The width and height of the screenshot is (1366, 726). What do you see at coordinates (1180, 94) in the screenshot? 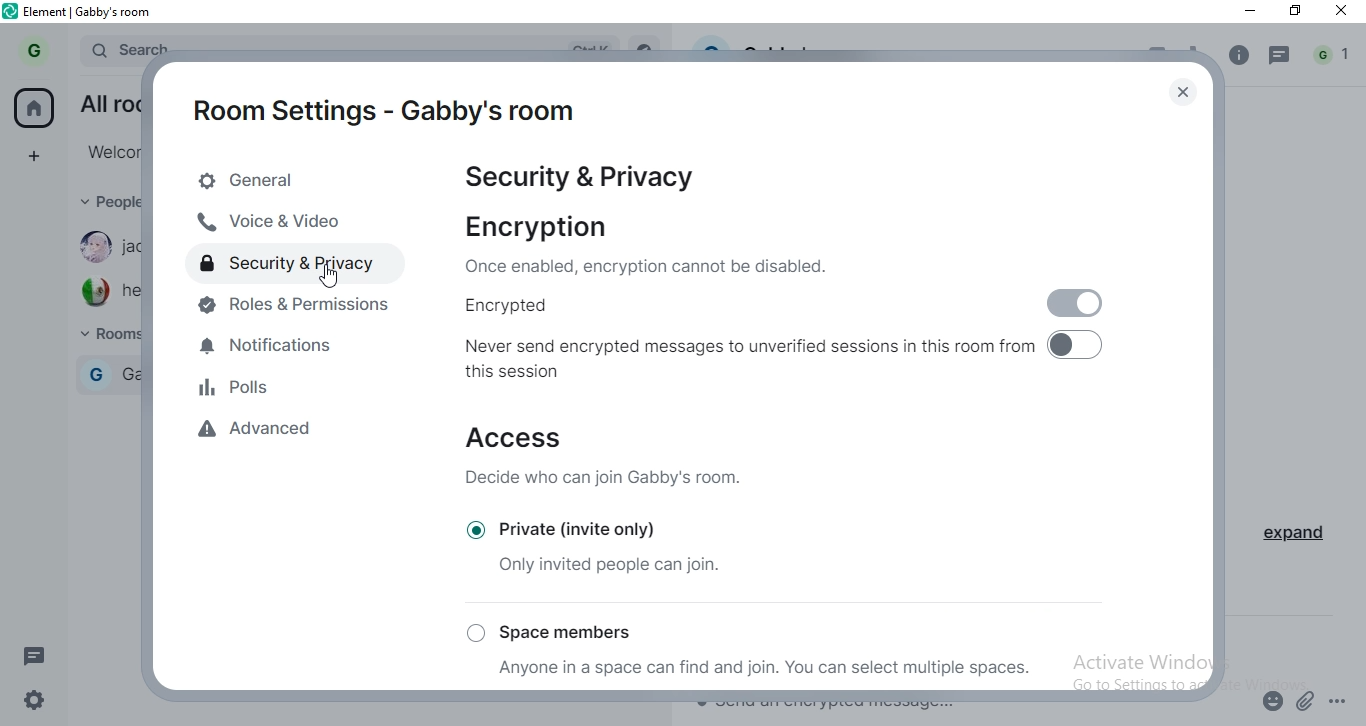
I see `close` at bounding box center [1180, 94].